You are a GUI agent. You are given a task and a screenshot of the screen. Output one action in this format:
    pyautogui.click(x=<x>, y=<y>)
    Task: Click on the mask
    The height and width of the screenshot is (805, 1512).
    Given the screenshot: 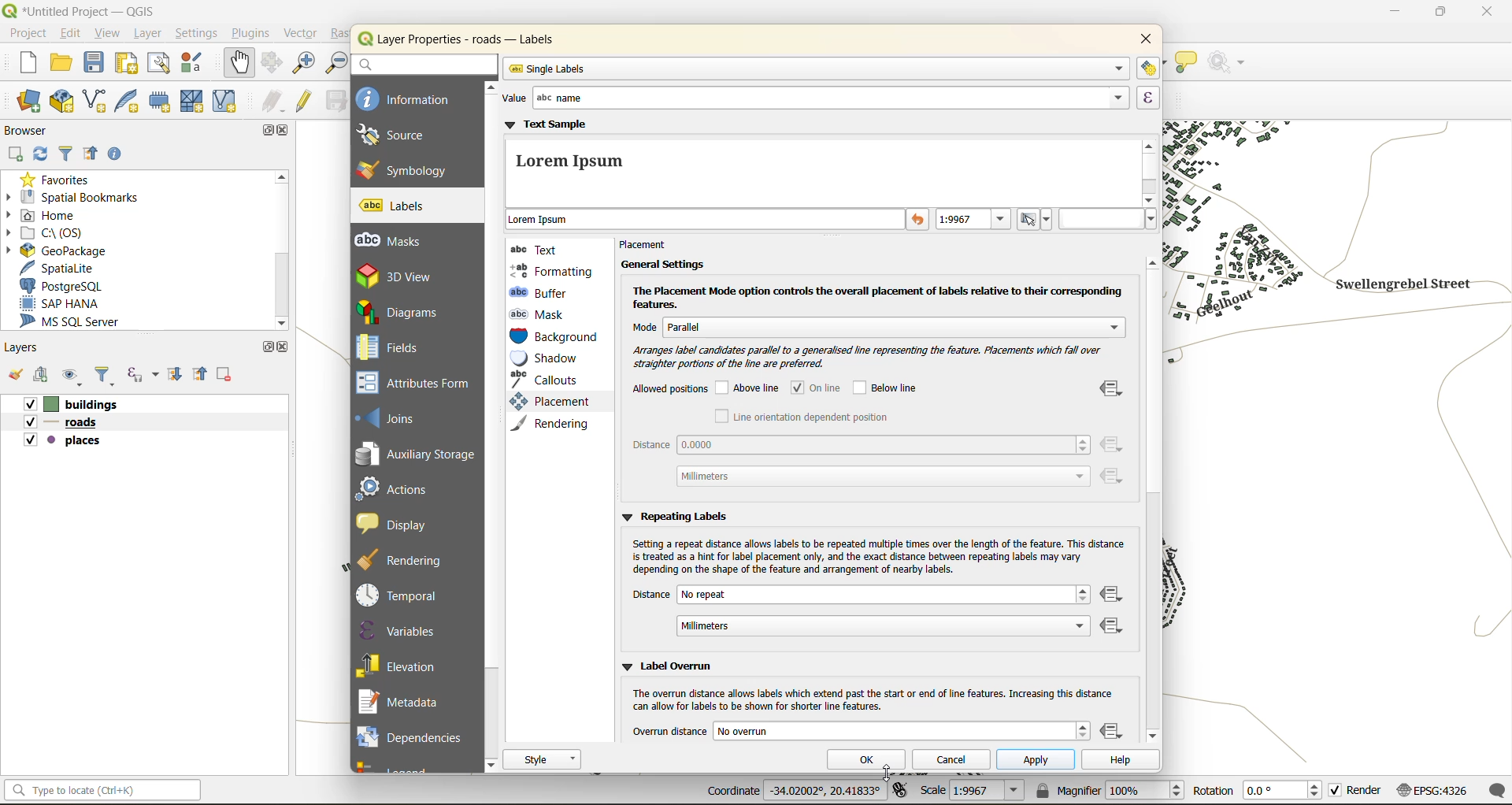 What is the action you would take?
    pyautogui.click(x=542, y=314)
    